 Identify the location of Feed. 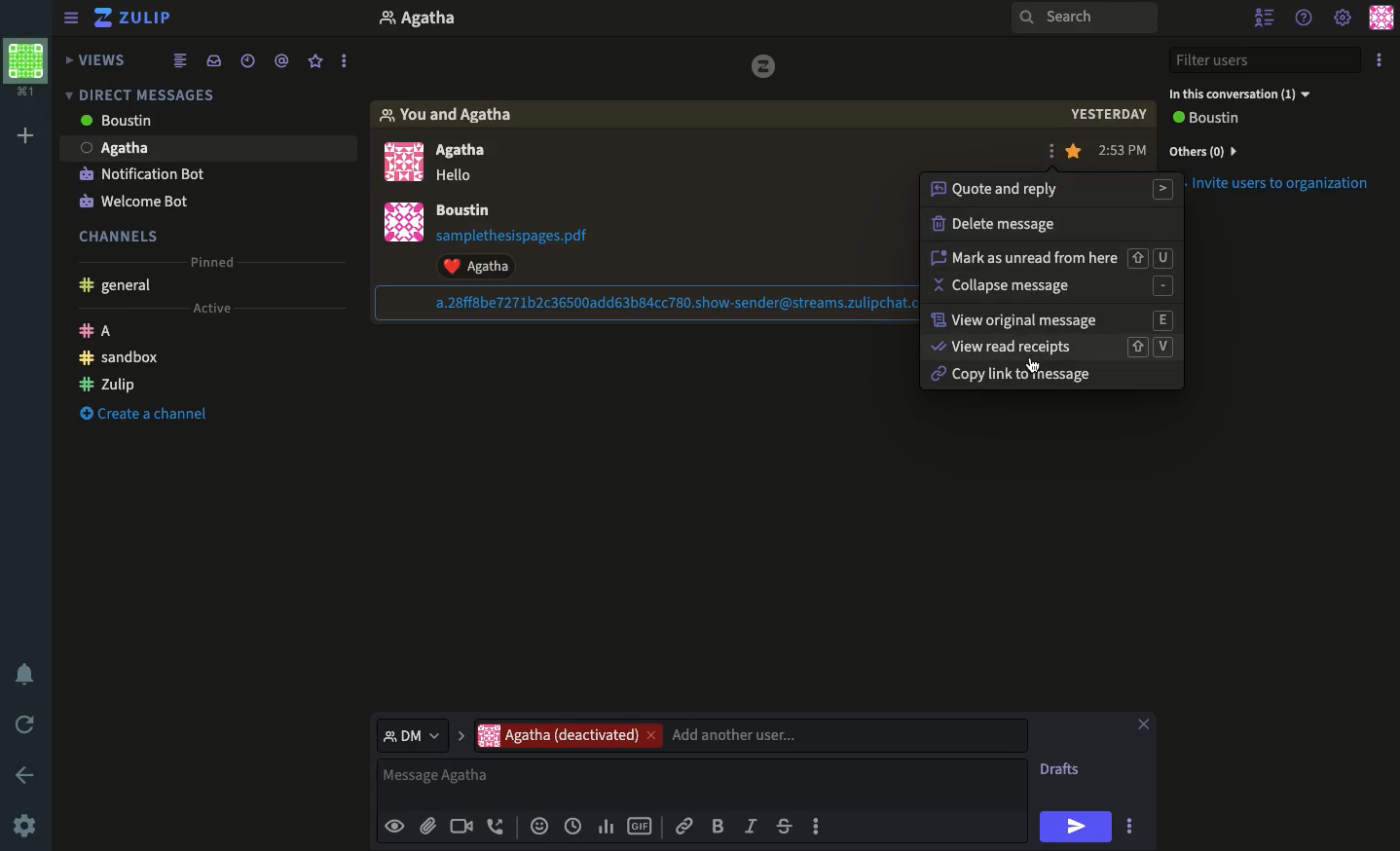
(183, 59).